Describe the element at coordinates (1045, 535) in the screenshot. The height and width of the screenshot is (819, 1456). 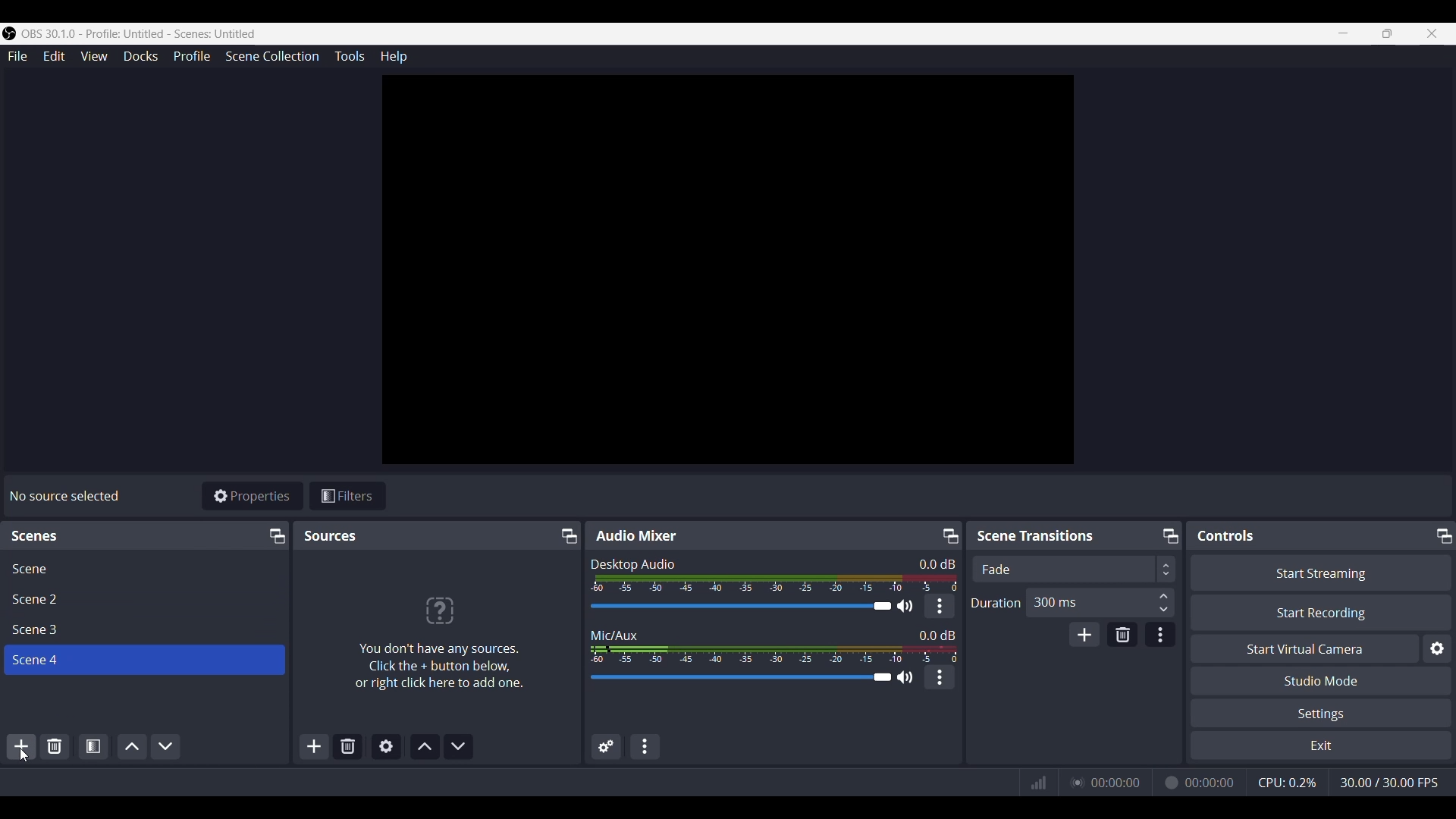
I see `Scene Transition` at that location.